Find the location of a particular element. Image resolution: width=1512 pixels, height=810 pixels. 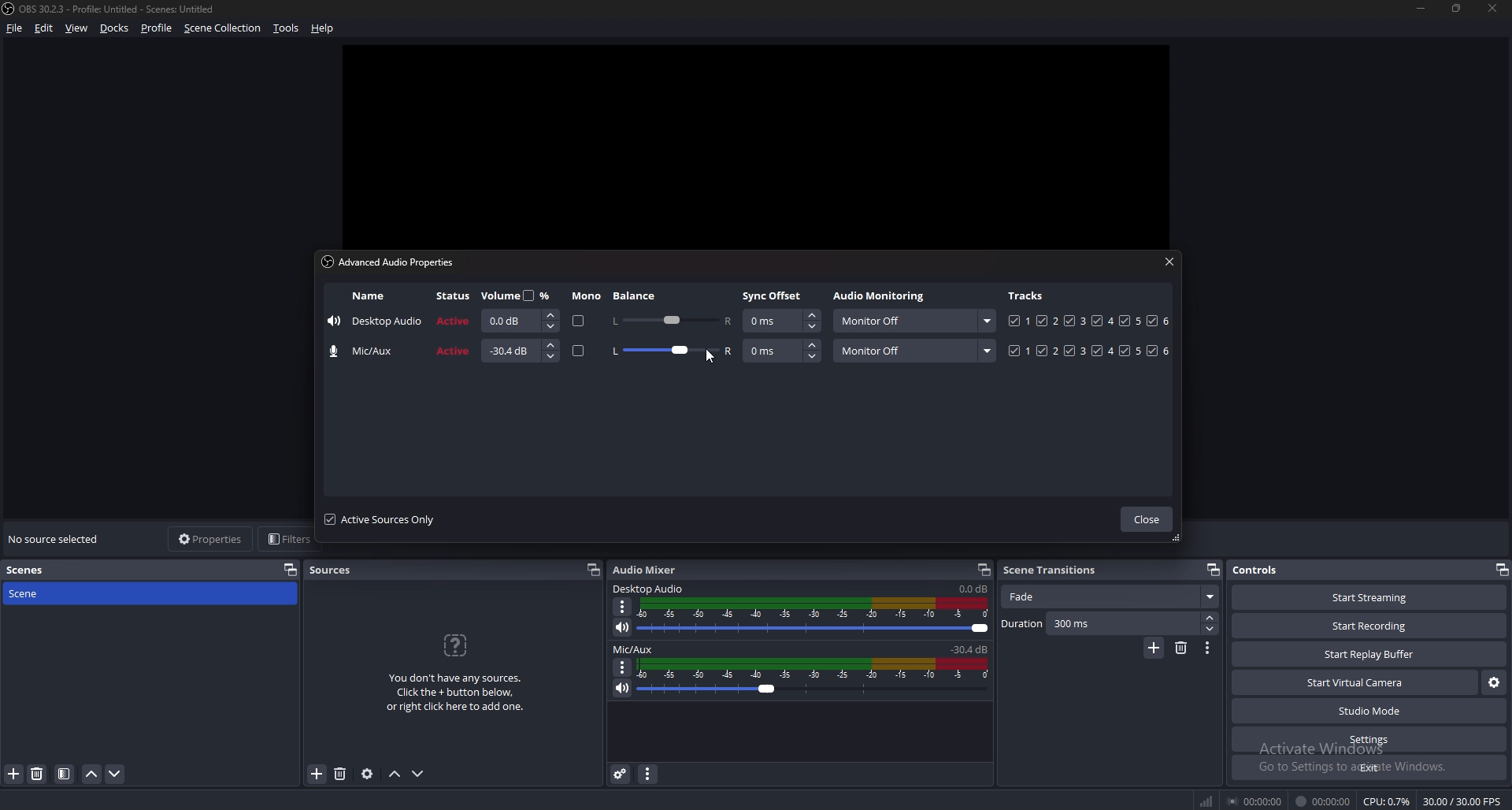

tracks is located at coordinates (1088, 351).